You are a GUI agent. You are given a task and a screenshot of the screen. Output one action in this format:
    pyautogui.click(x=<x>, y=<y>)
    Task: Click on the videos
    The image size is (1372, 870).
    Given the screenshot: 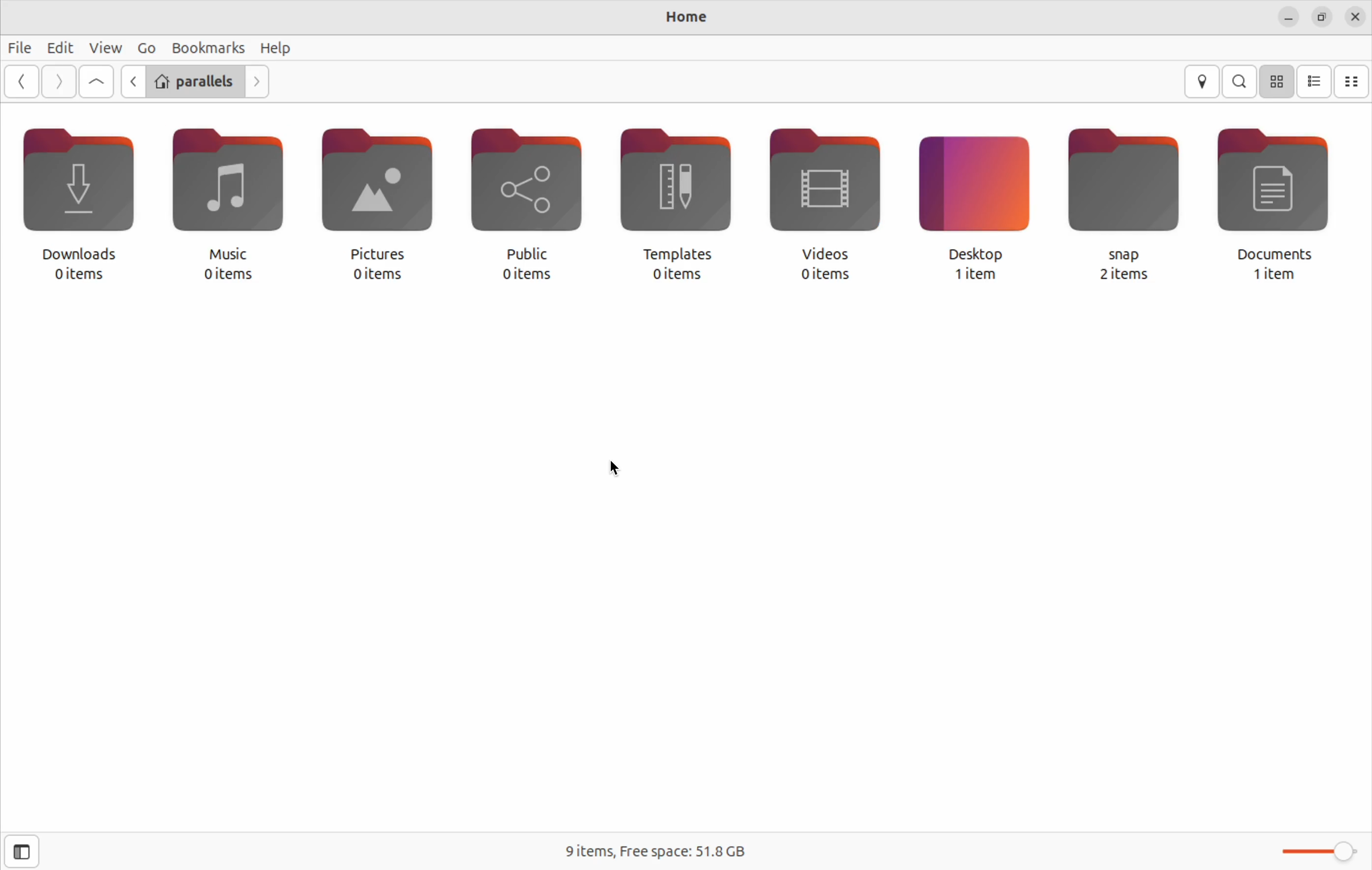 What is the action you would take?
    pyautogui.click(x=828, y=206)
    